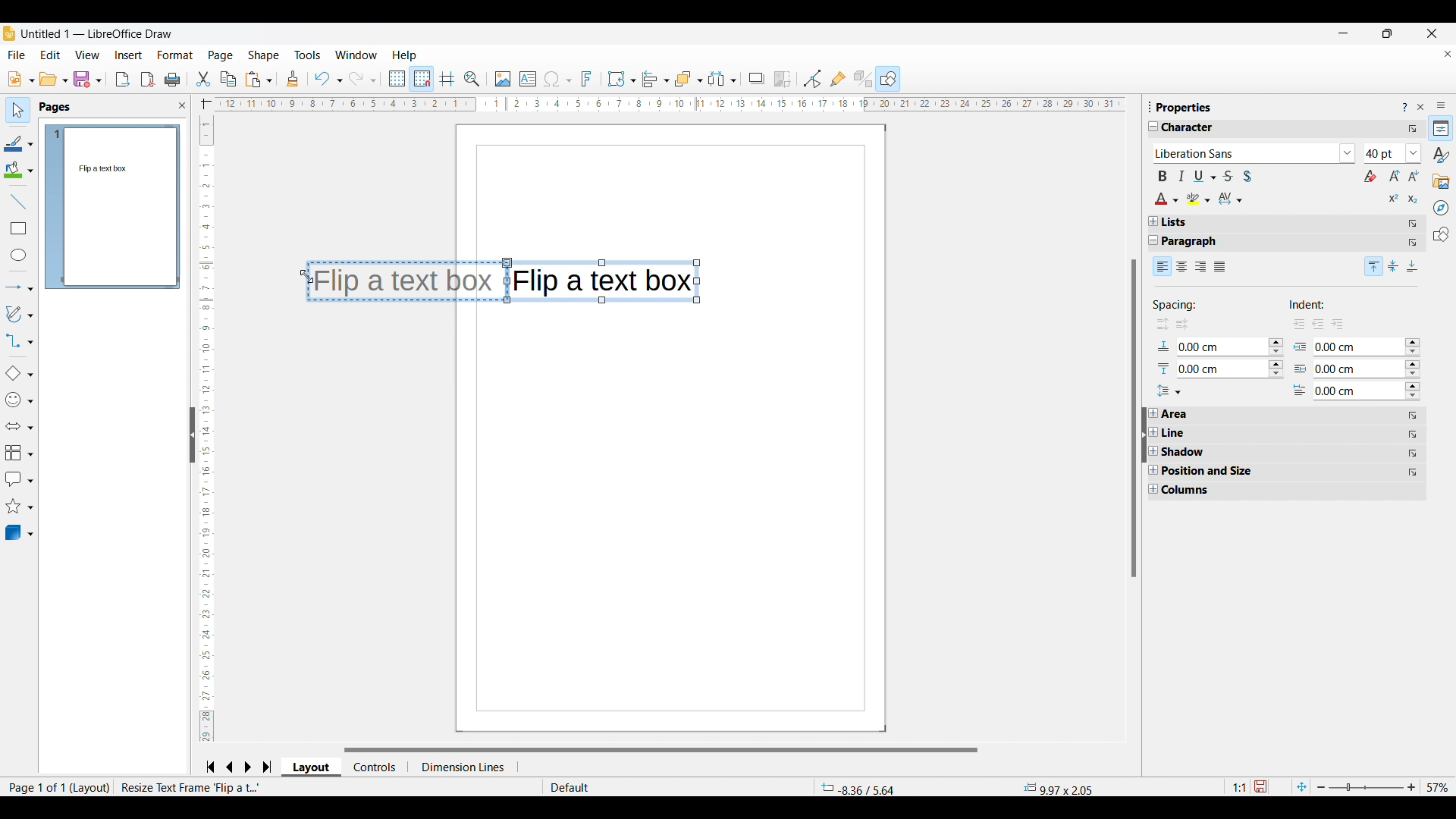 Image resolution: width=1456 pixels, height=819 pixels. Describe the element at coordinates (812, 79) in the screenshot. I see `Toggle point edit mode` at that location.